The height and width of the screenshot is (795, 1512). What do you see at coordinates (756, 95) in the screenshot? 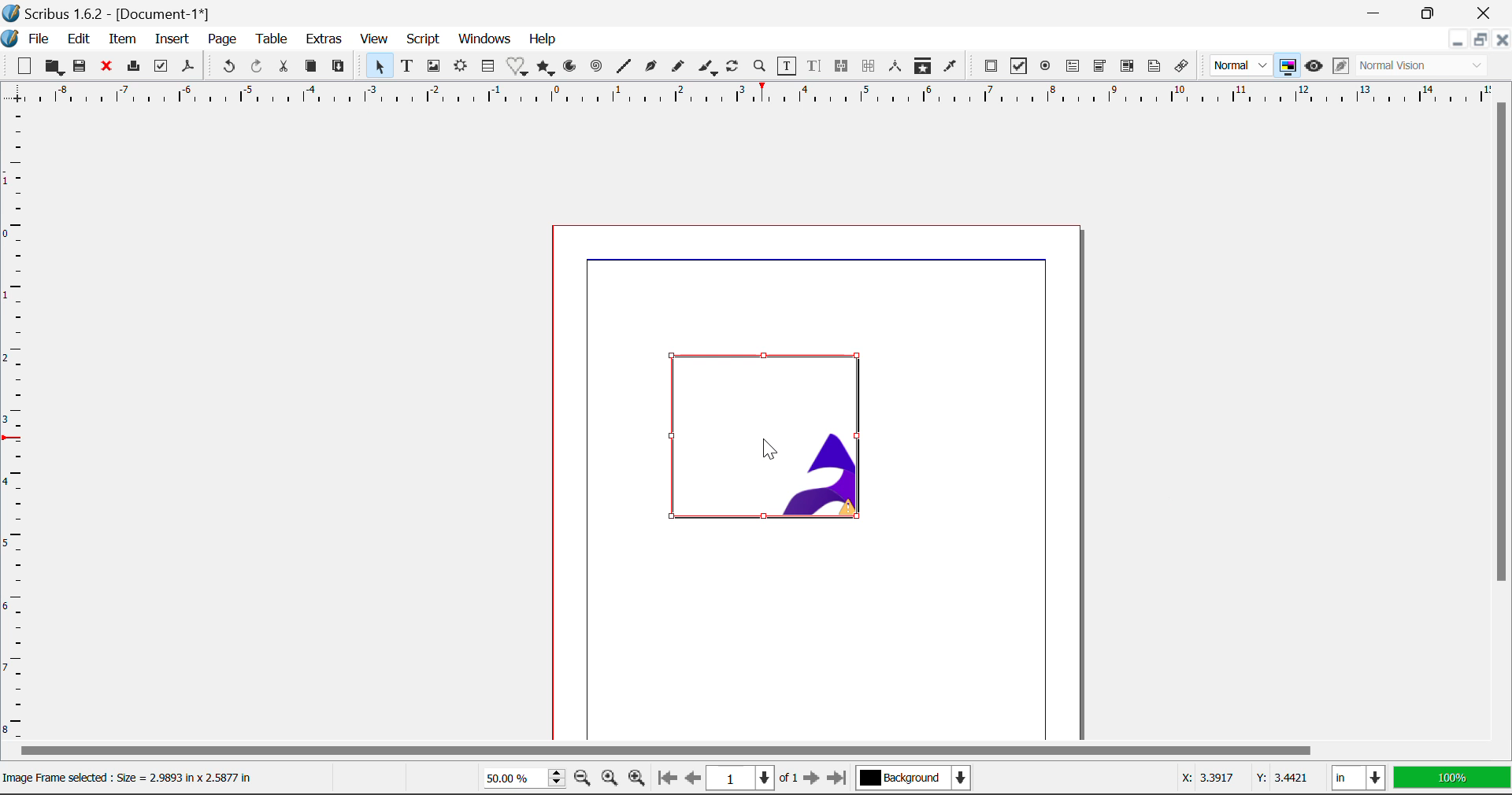
I see `Vertical Margins` at bounding box center [756, 95].